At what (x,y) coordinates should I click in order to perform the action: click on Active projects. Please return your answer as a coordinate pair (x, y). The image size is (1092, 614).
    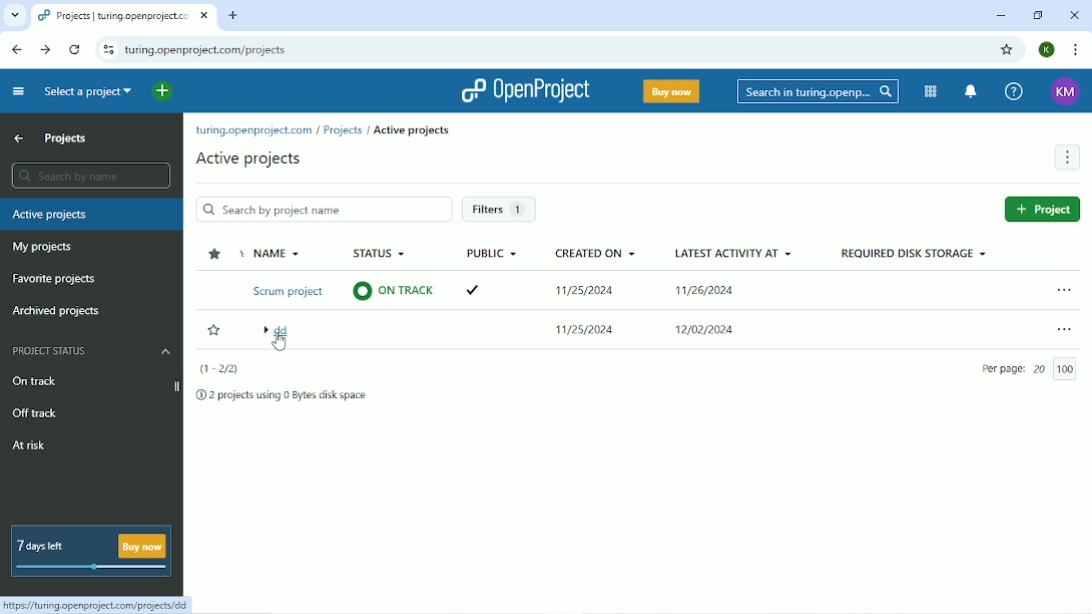
    Looking at the image, I should click on (248, 158).